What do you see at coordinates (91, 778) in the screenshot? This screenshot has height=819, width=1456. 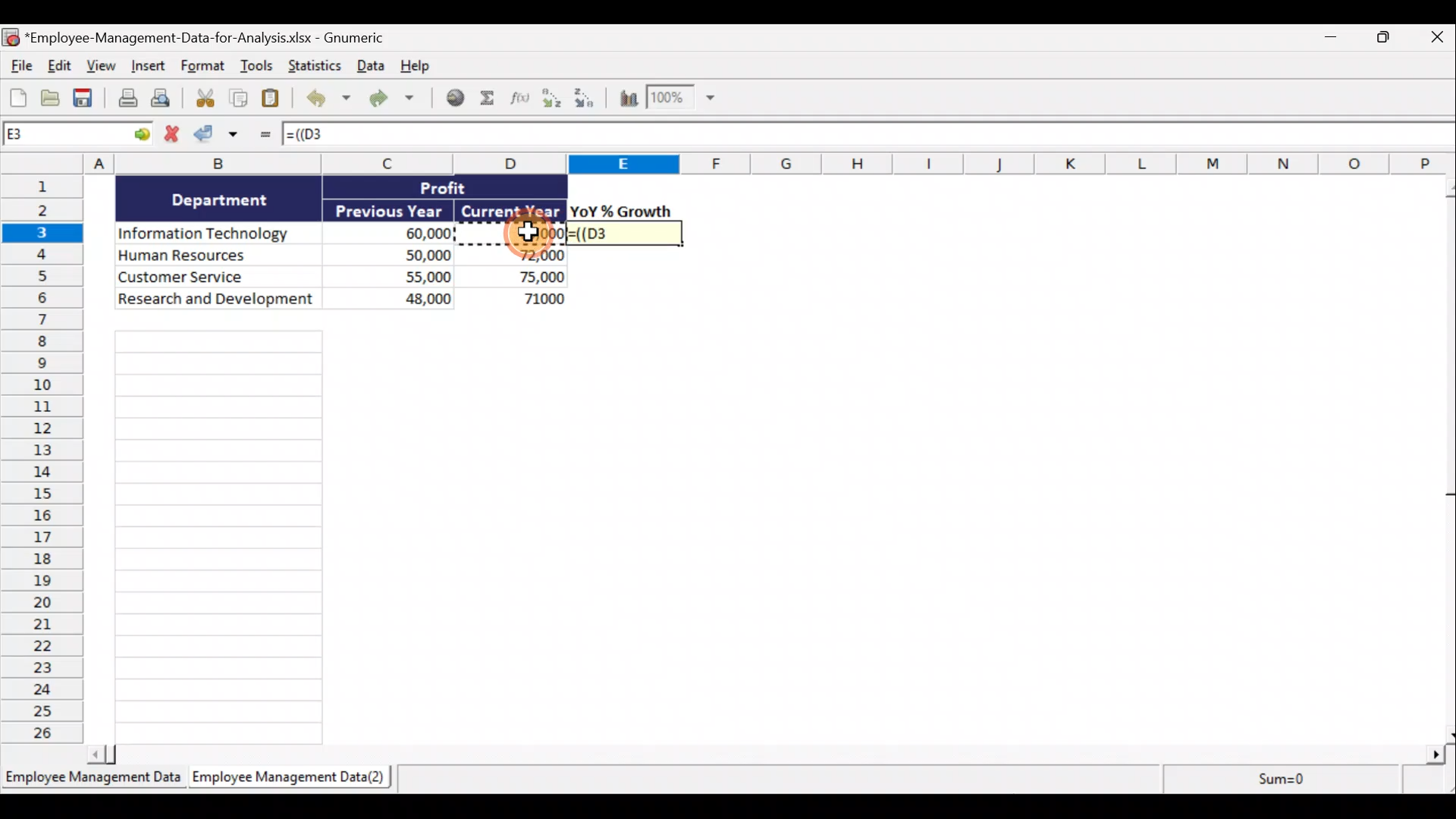 I see `Sheet 1` at bounding box center [91, 778].